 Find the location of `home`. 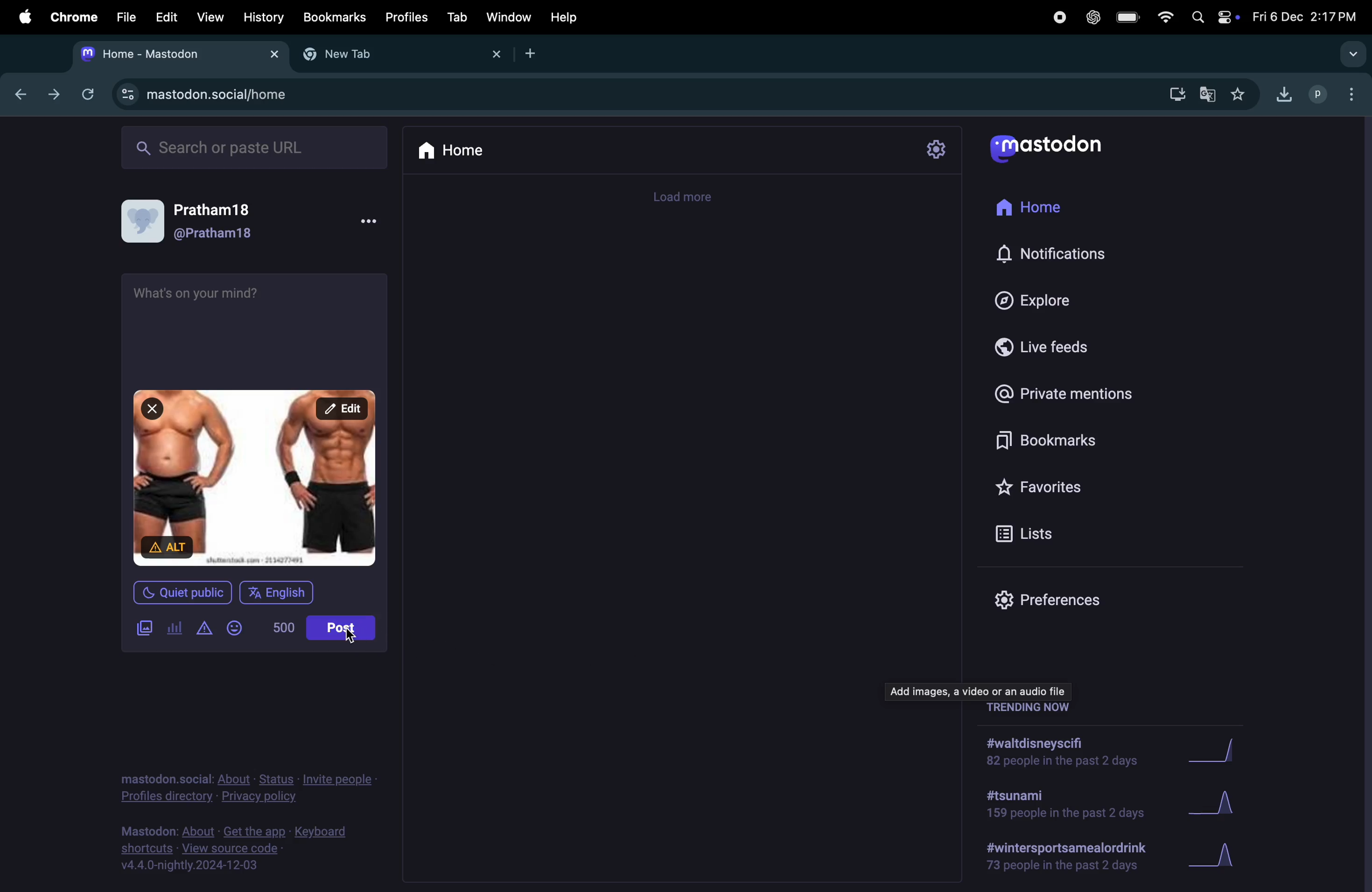

home is located at coordinates (455, 151).